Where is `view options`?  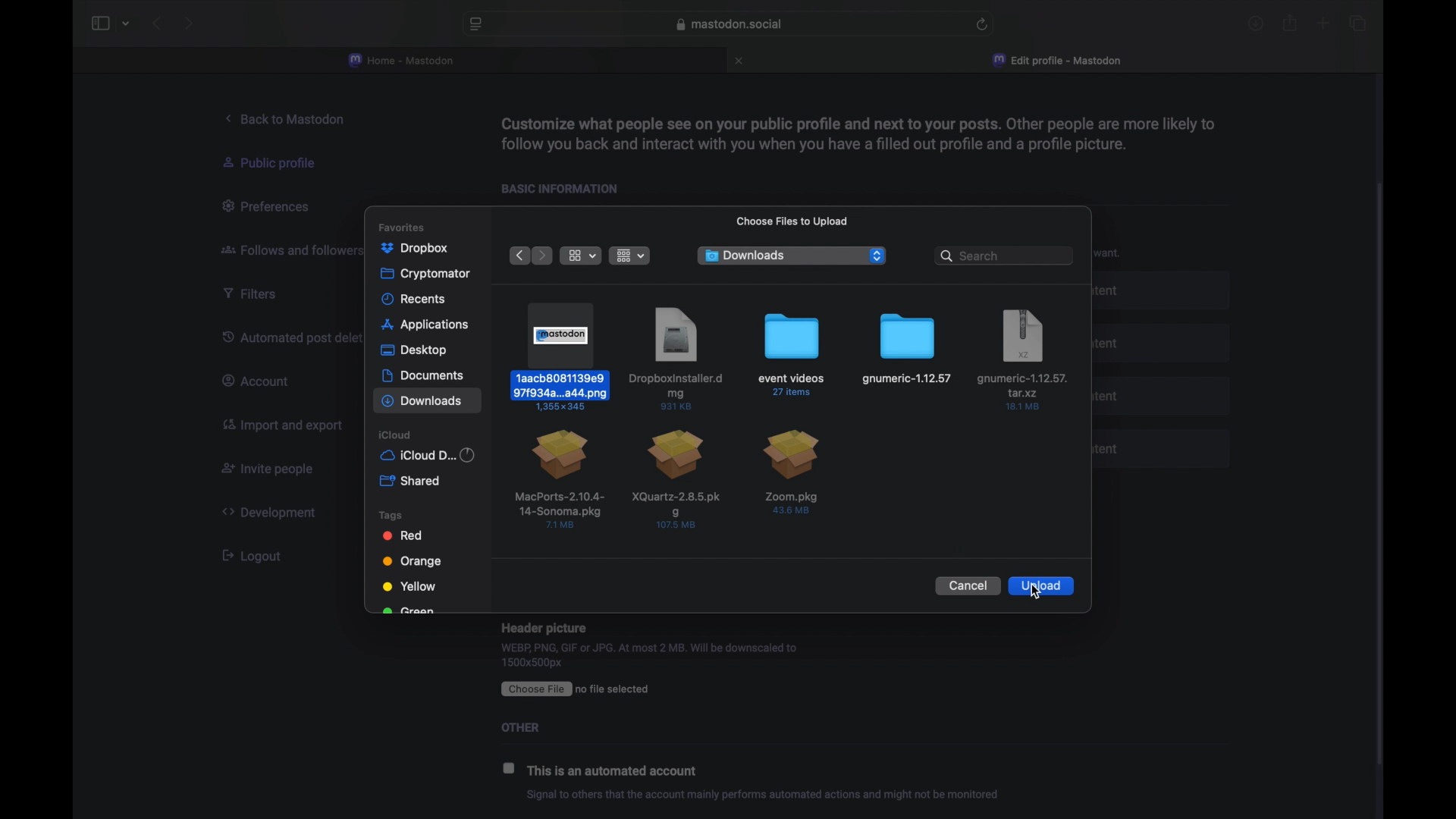
view options is located at coordinates (581, 256).